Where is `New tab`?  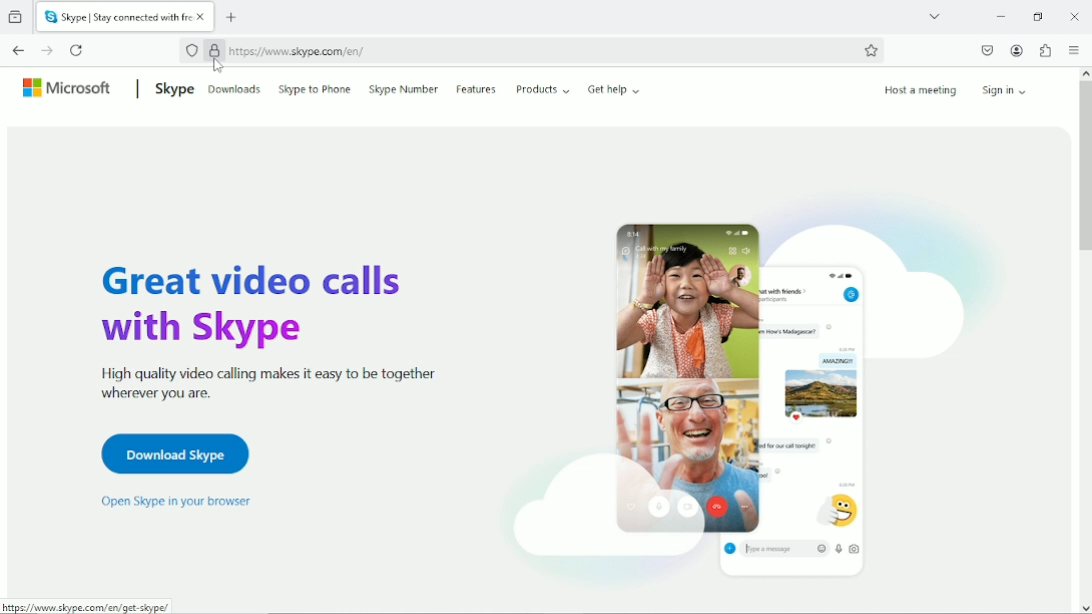
New tab is located at coordinates (232, 18).